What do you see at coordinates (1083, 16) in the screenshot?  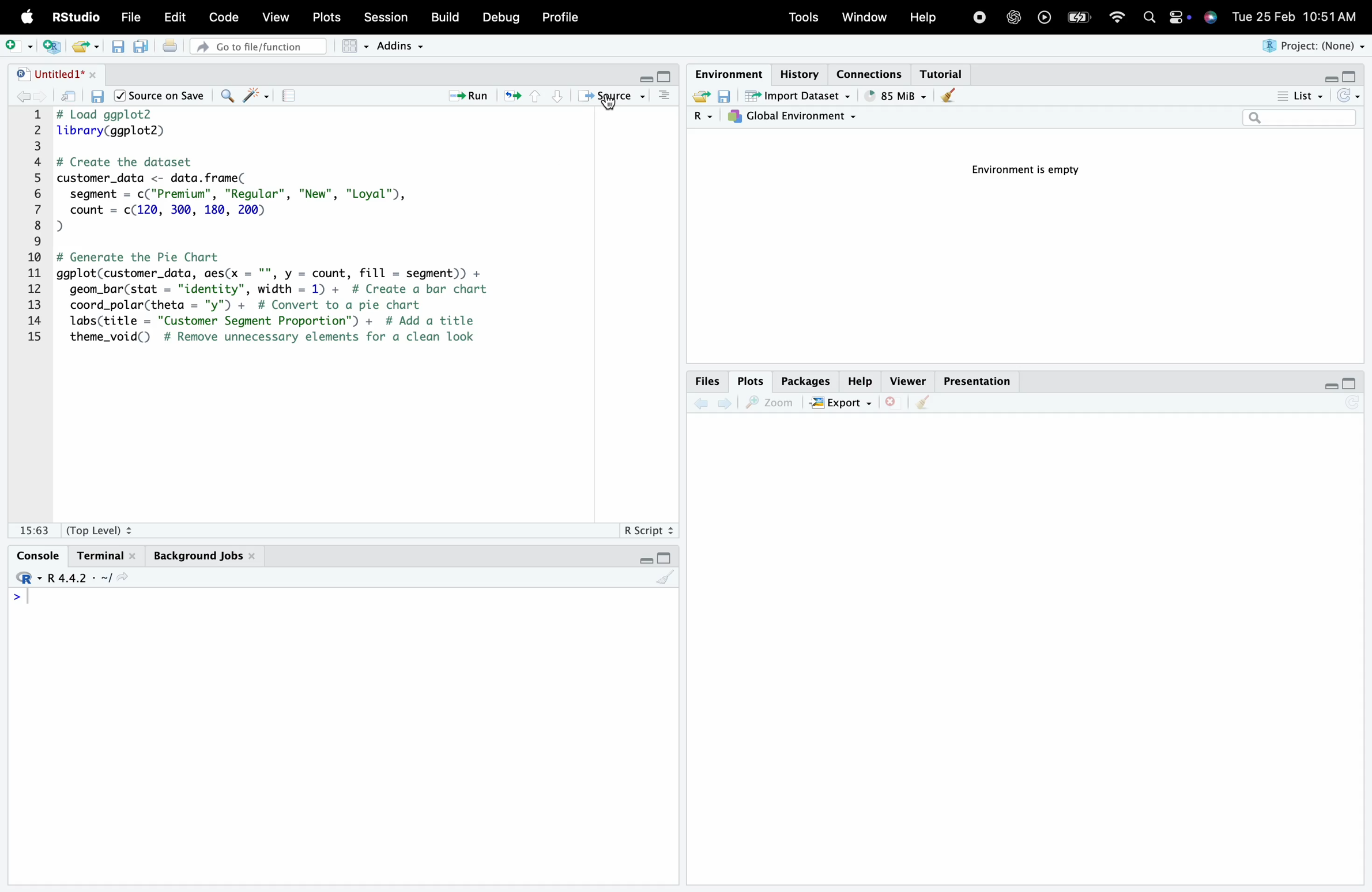 I see `battery` at bounding box center [1083, 16].